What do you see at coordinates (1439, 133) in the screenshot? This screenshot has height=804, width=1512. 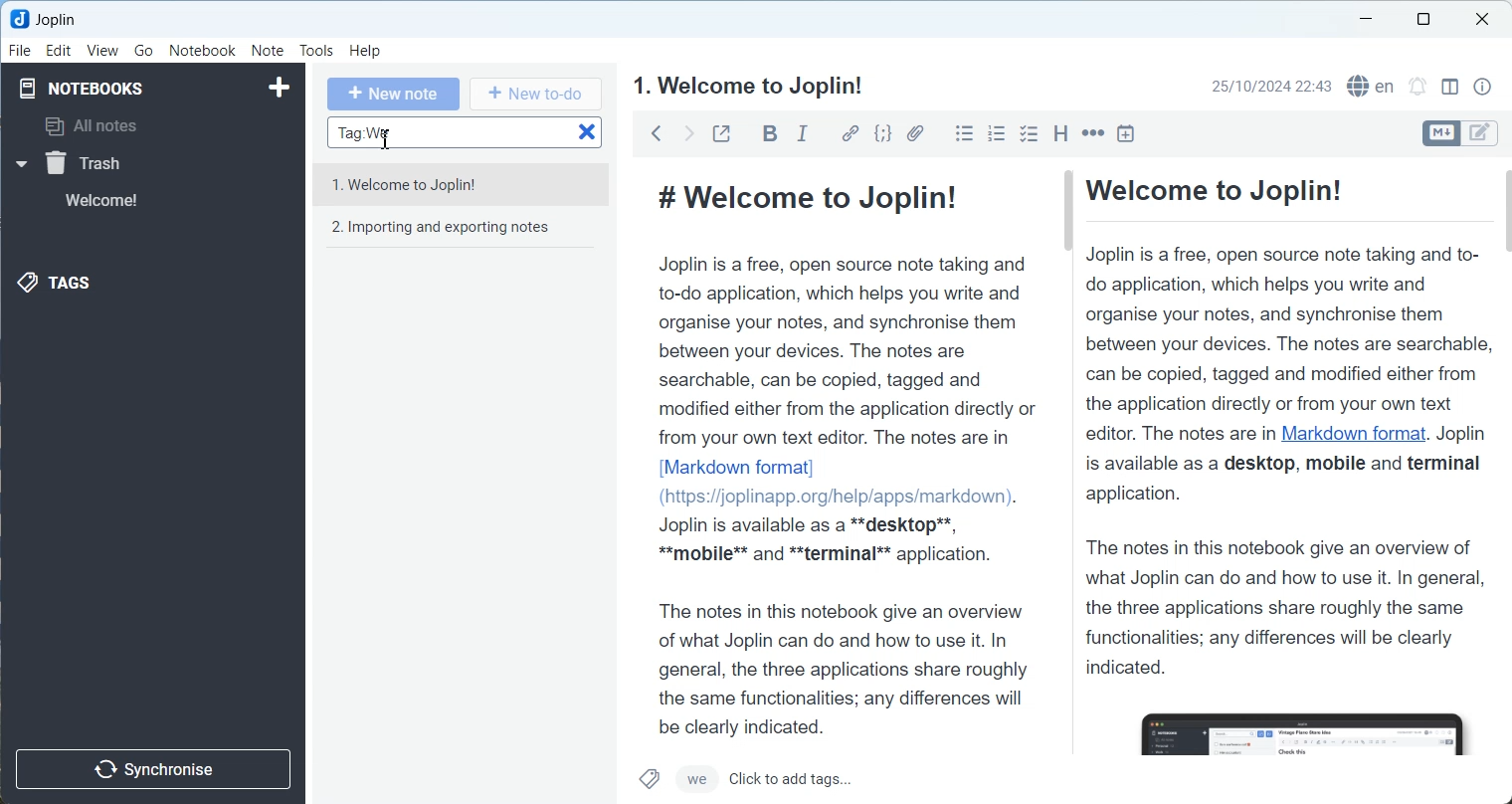 I see `Toggle editors` at bounding box center [1439, 133].